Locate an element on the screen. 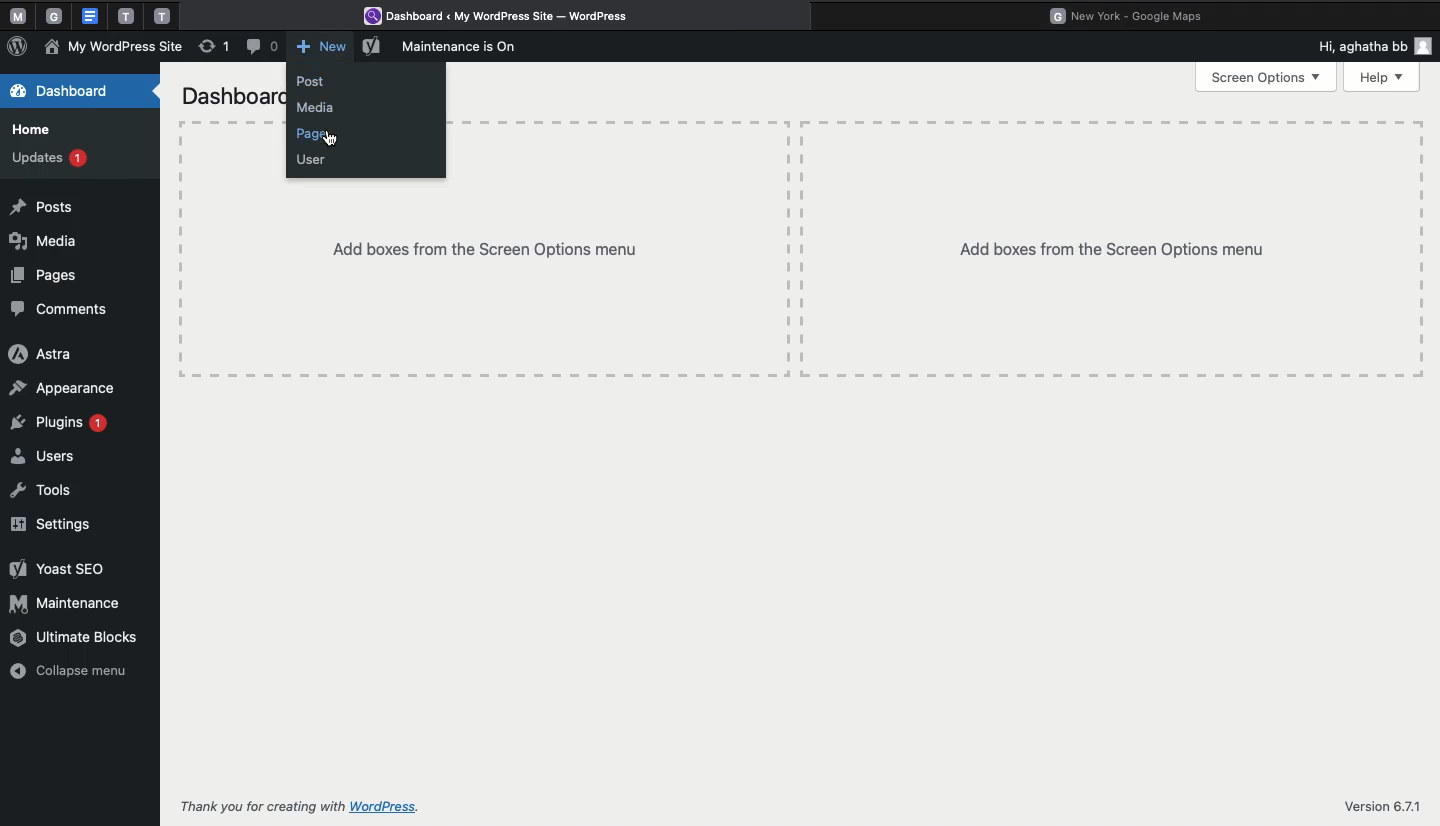 This screenshot has height=826, width=1440. New is located at coordinates (320, 47).